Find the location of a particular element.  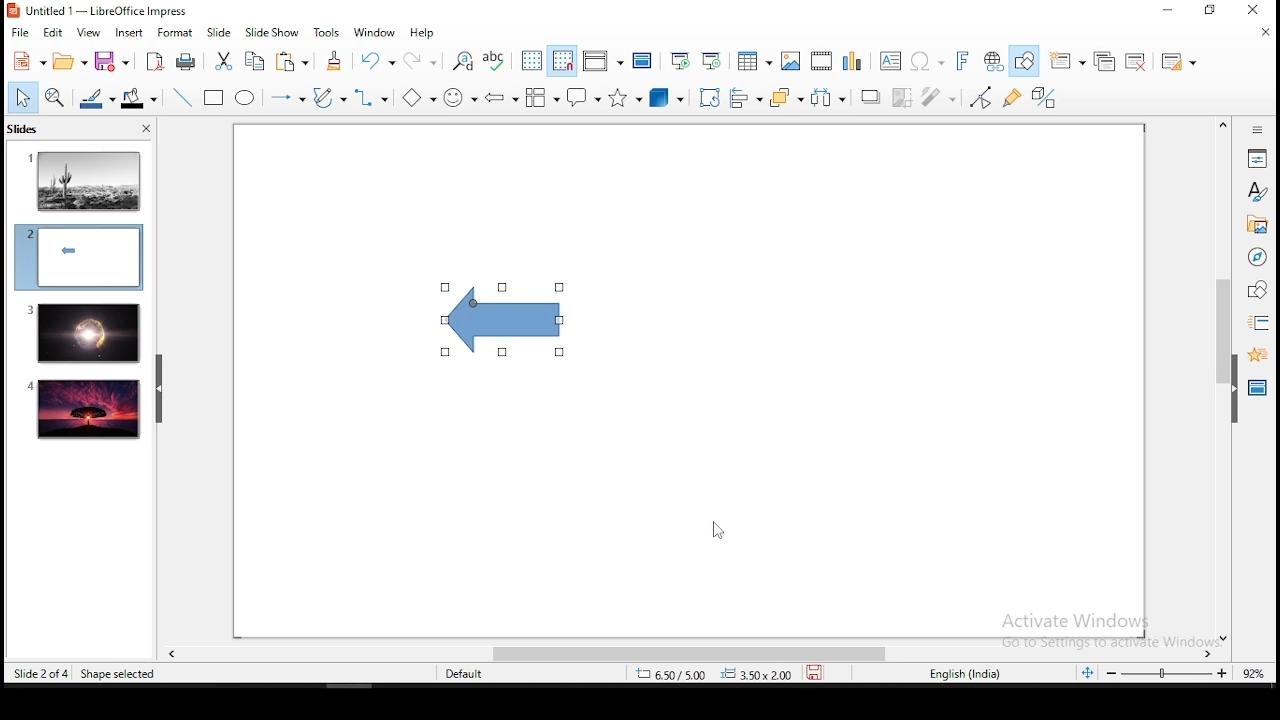

display grid is located at coordinates (531, 60).